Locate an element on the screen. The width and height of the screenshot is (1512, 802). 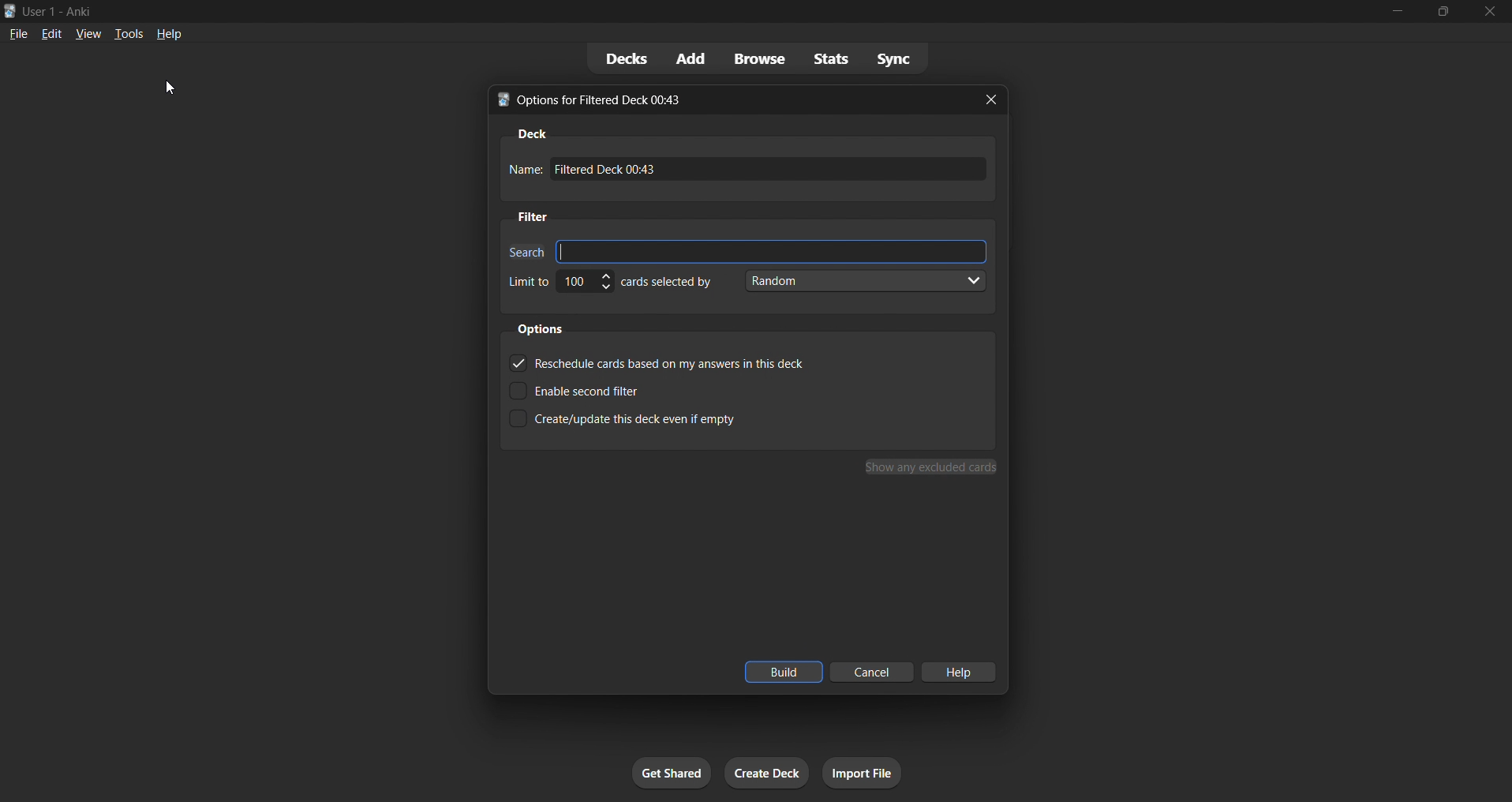
tab title is located at coordinates (721, 99).